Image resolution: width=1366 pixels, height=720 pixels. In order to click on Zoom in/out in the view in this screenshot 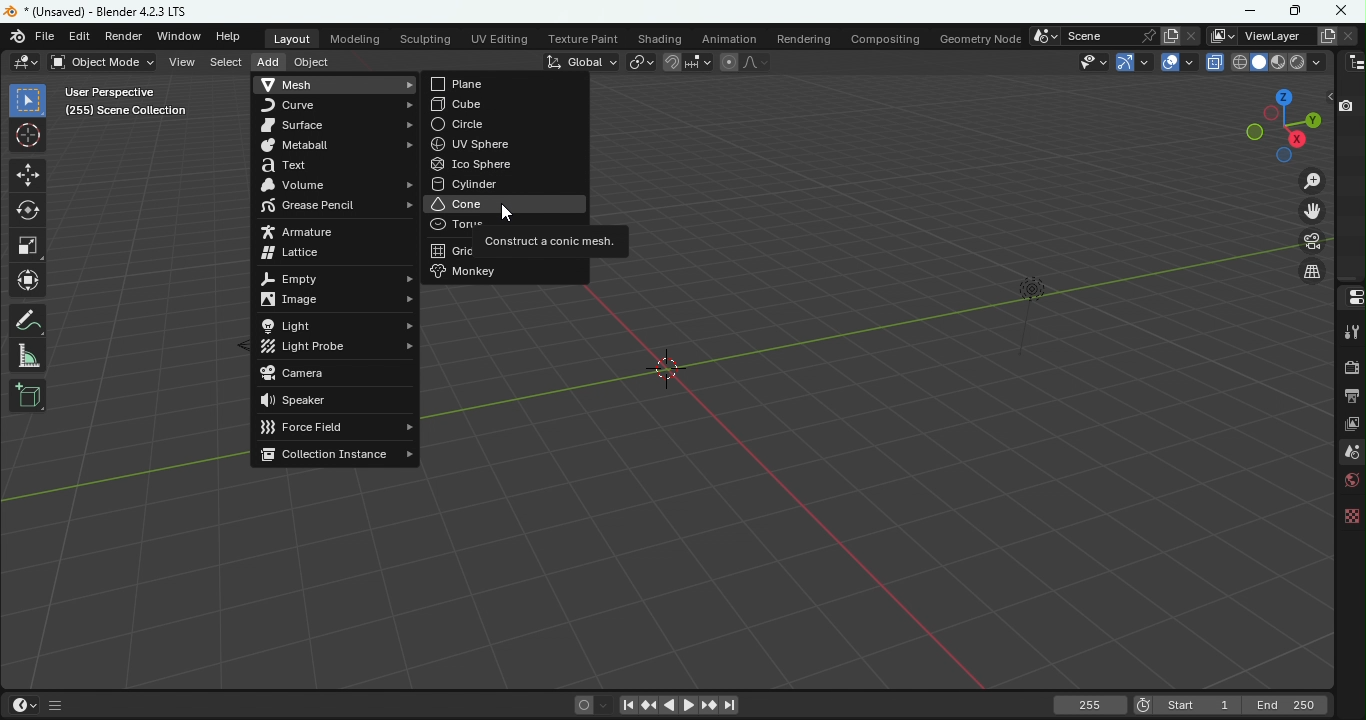, I will do `click(1314, 180)`.